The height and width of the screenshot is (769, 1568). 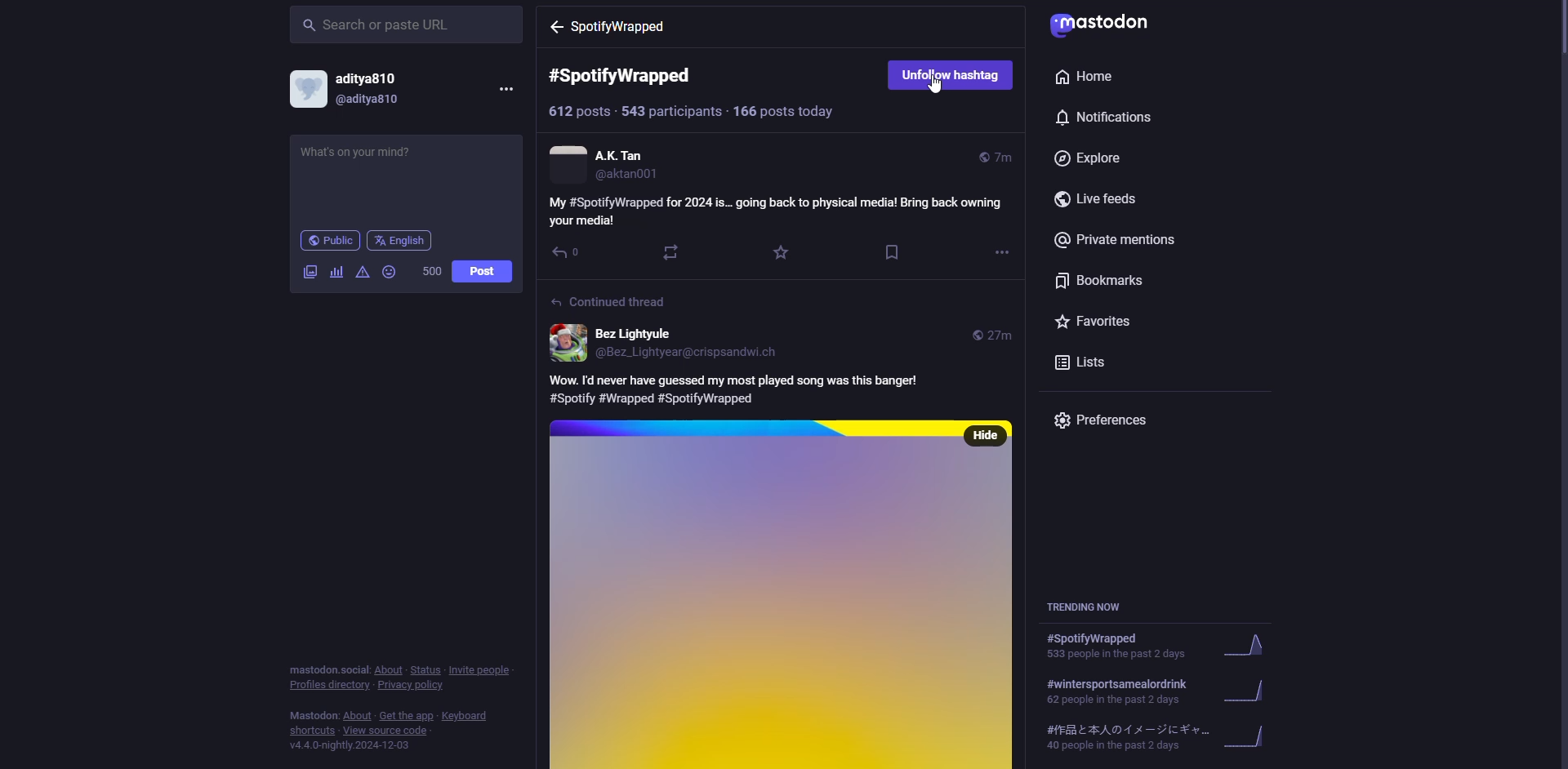 I want to click on participants, so click(x=671, y=112).